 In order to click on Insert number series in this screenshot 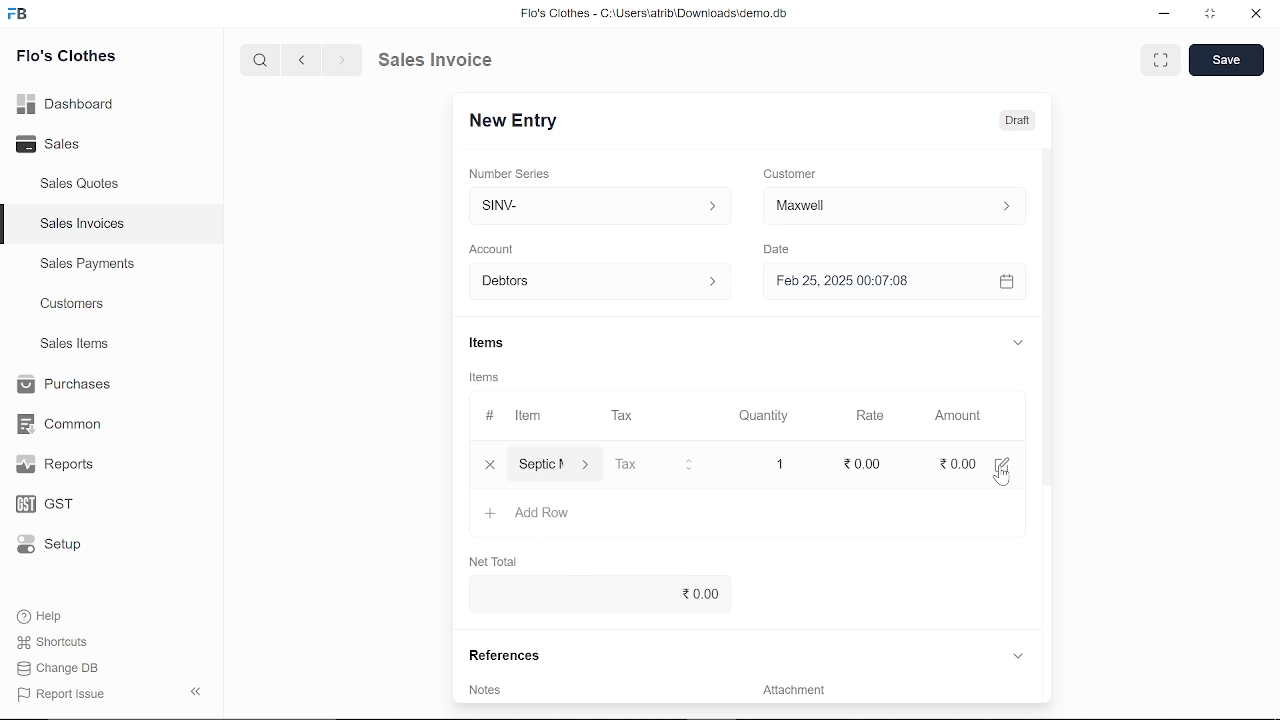, I will do `click(601, 203)`.